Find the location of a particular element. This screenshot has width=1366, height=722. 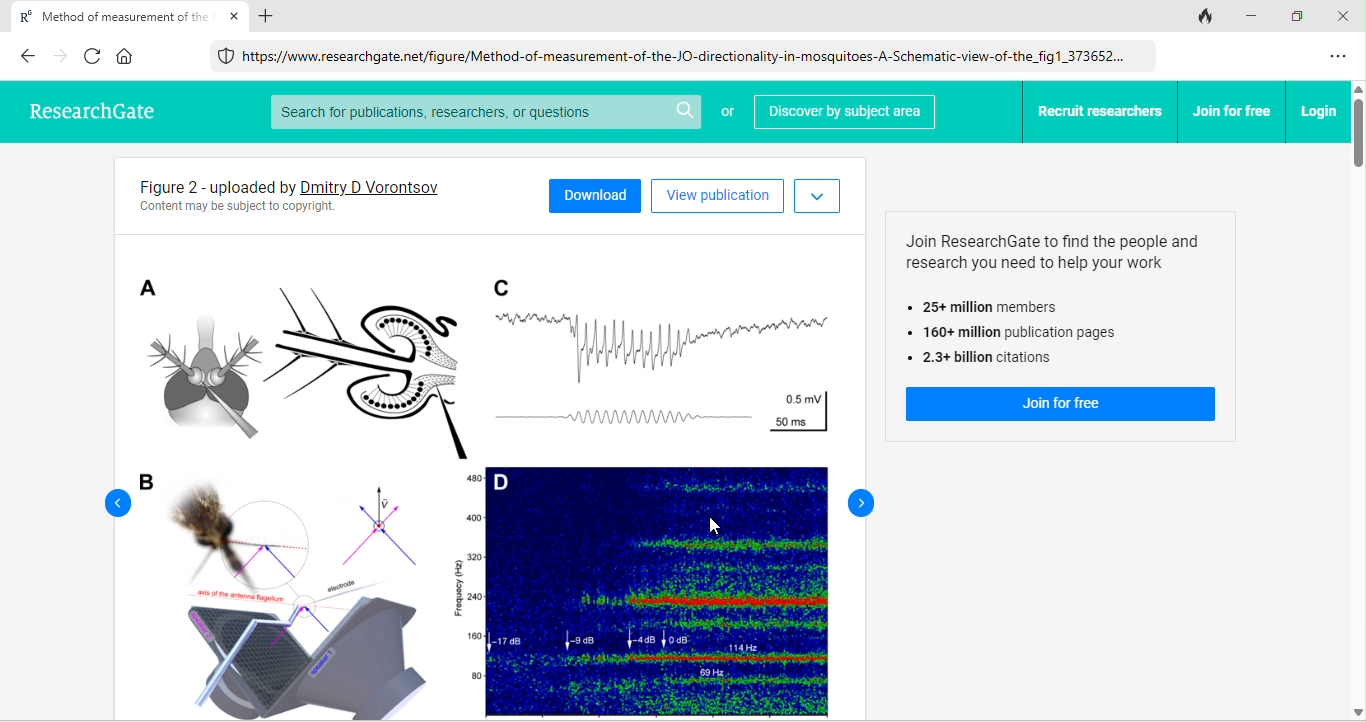

view publication is located at coordinates (717, 196).